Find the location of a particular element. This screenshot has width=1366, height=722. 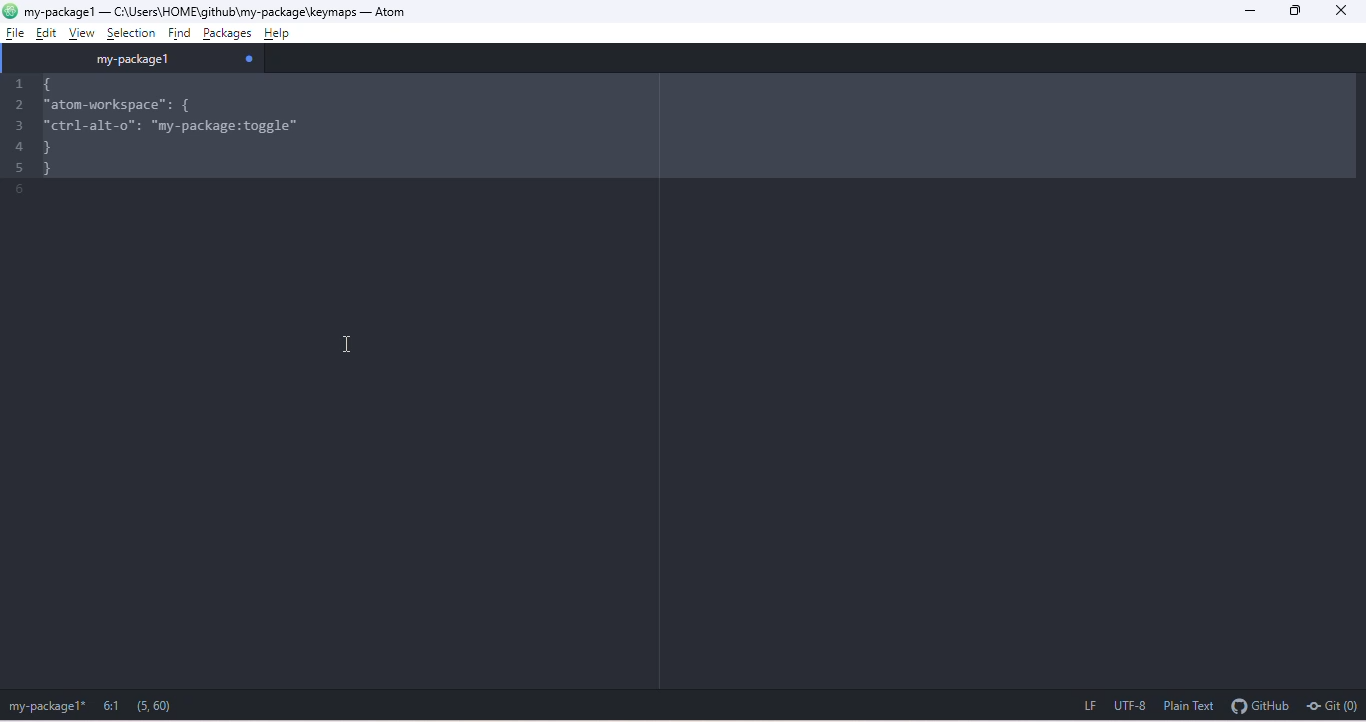

(5, 68) is located at coordinates (159, 704).